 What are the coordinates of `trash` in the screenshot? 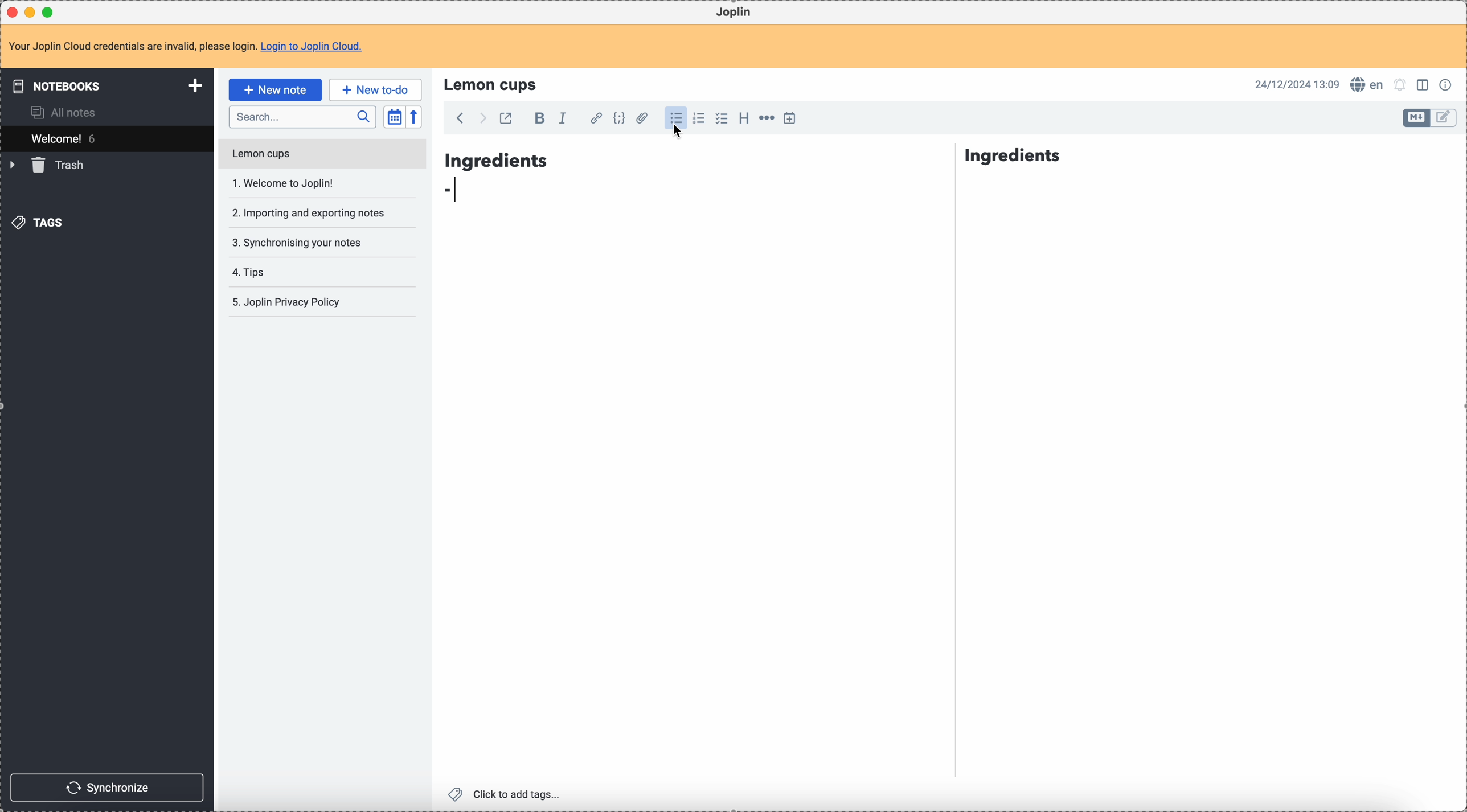 It's located at (49, 165).